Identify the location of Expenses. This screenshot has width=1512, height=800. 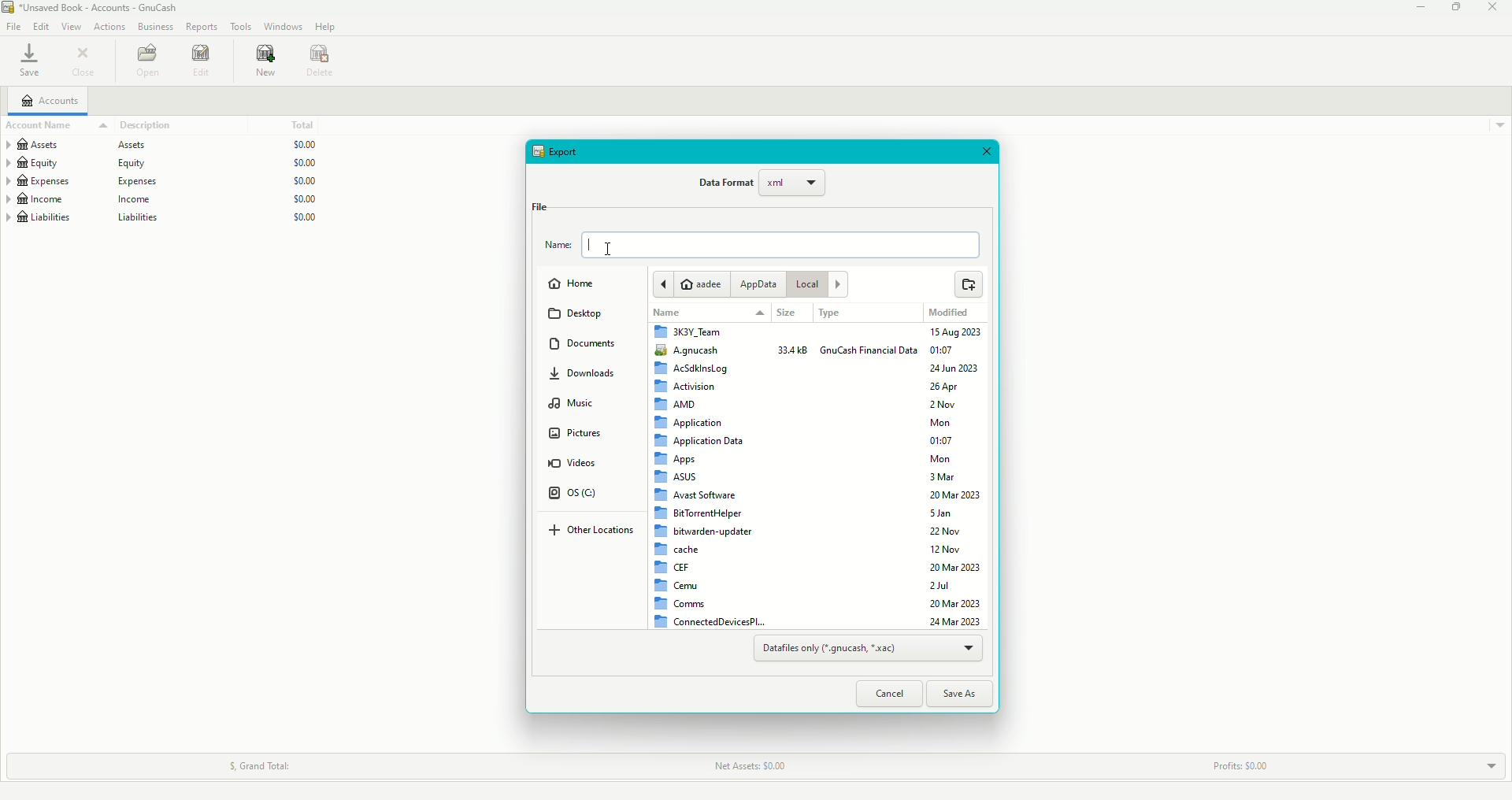
(165, 180).